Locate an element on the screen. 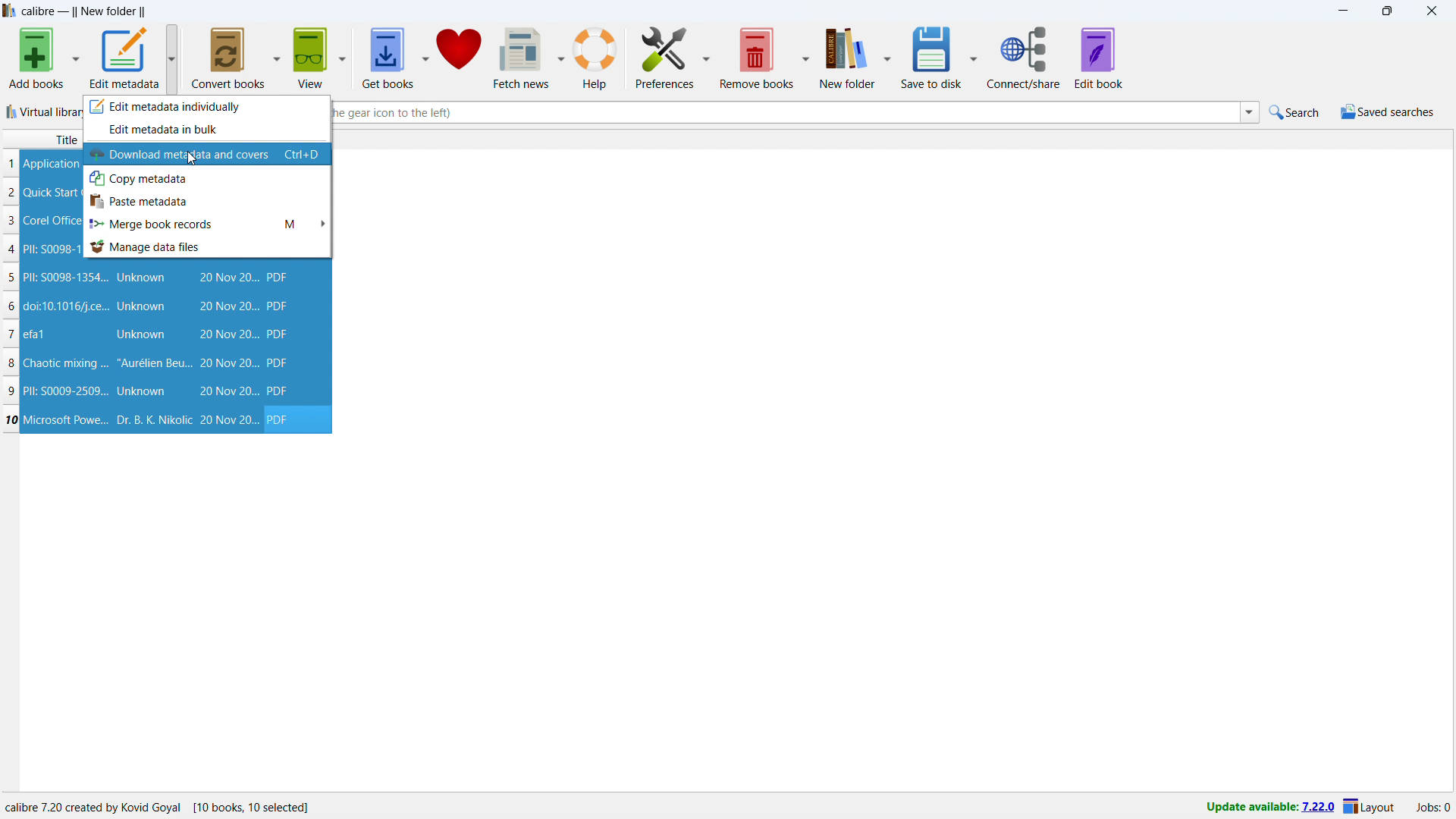 Image resolution: width=1456 pixels, height=819 pixels. convert books is located at coordinates (230, 58).